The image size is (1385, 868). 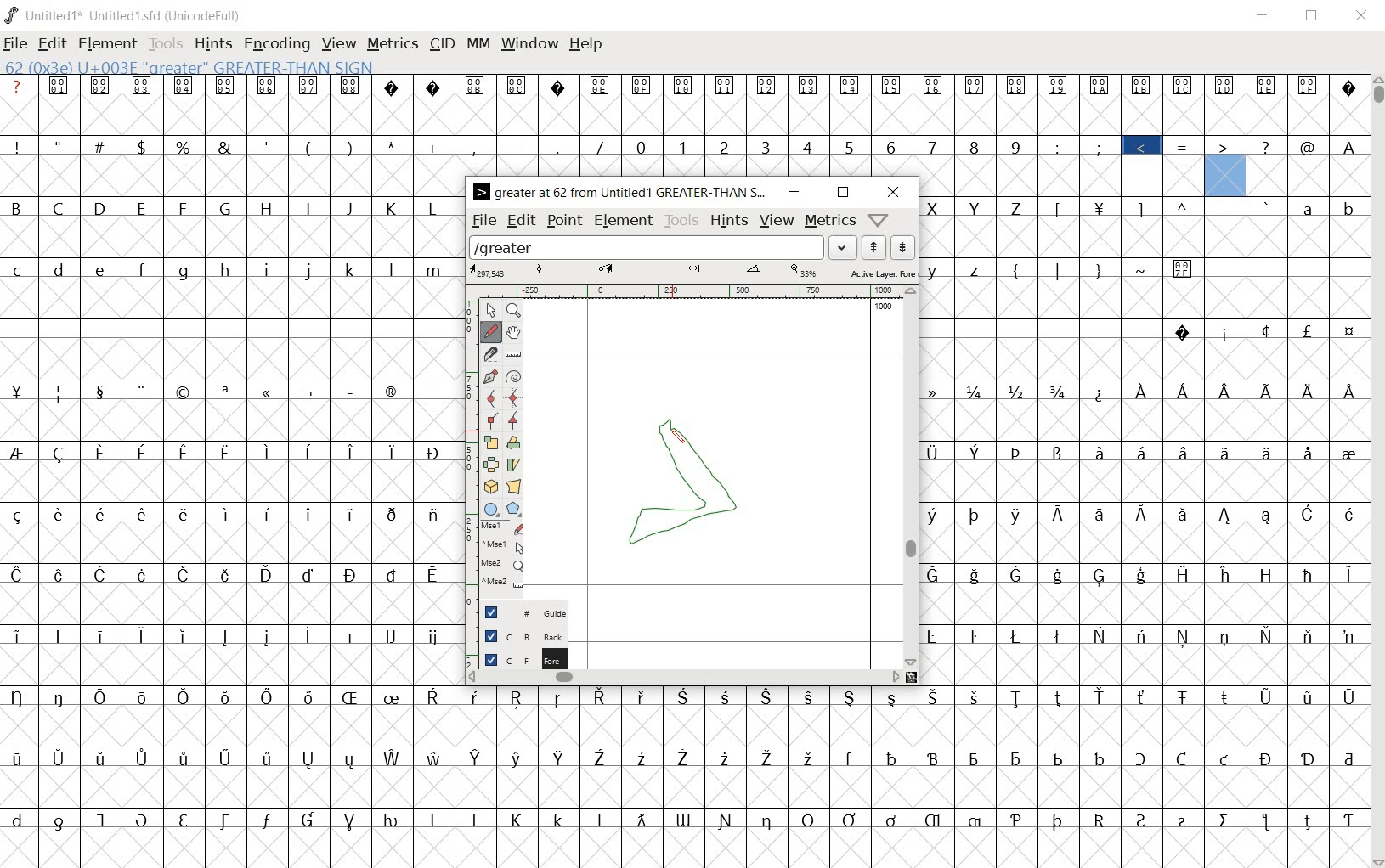 I want to click on cut splines in two, so click(x=489, y=353).